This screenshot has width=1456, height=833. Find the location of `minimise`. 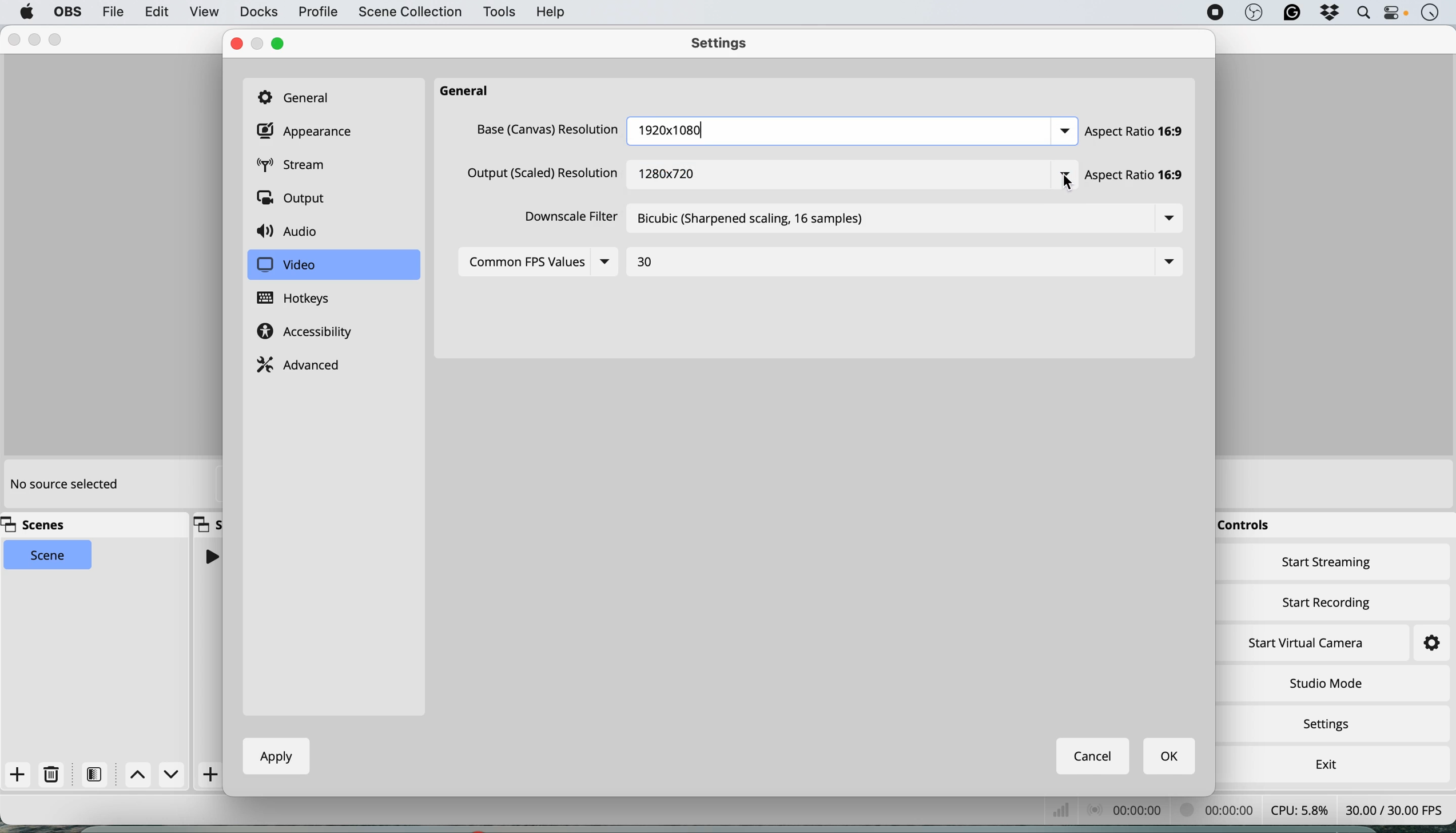

minimise is located at coordinates (38, 39).